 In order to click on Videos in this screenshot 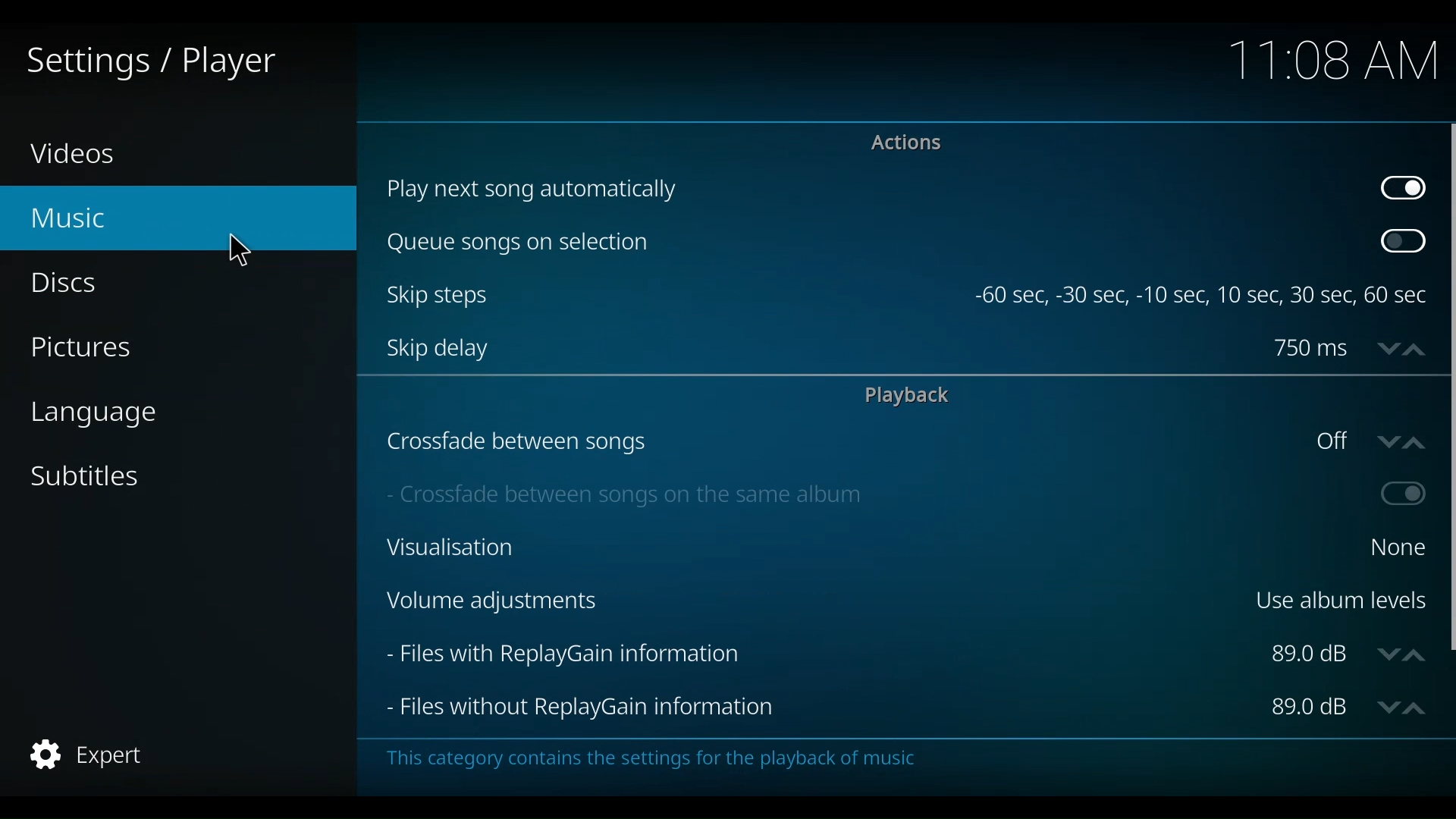, I will do `click(80, 155)`.